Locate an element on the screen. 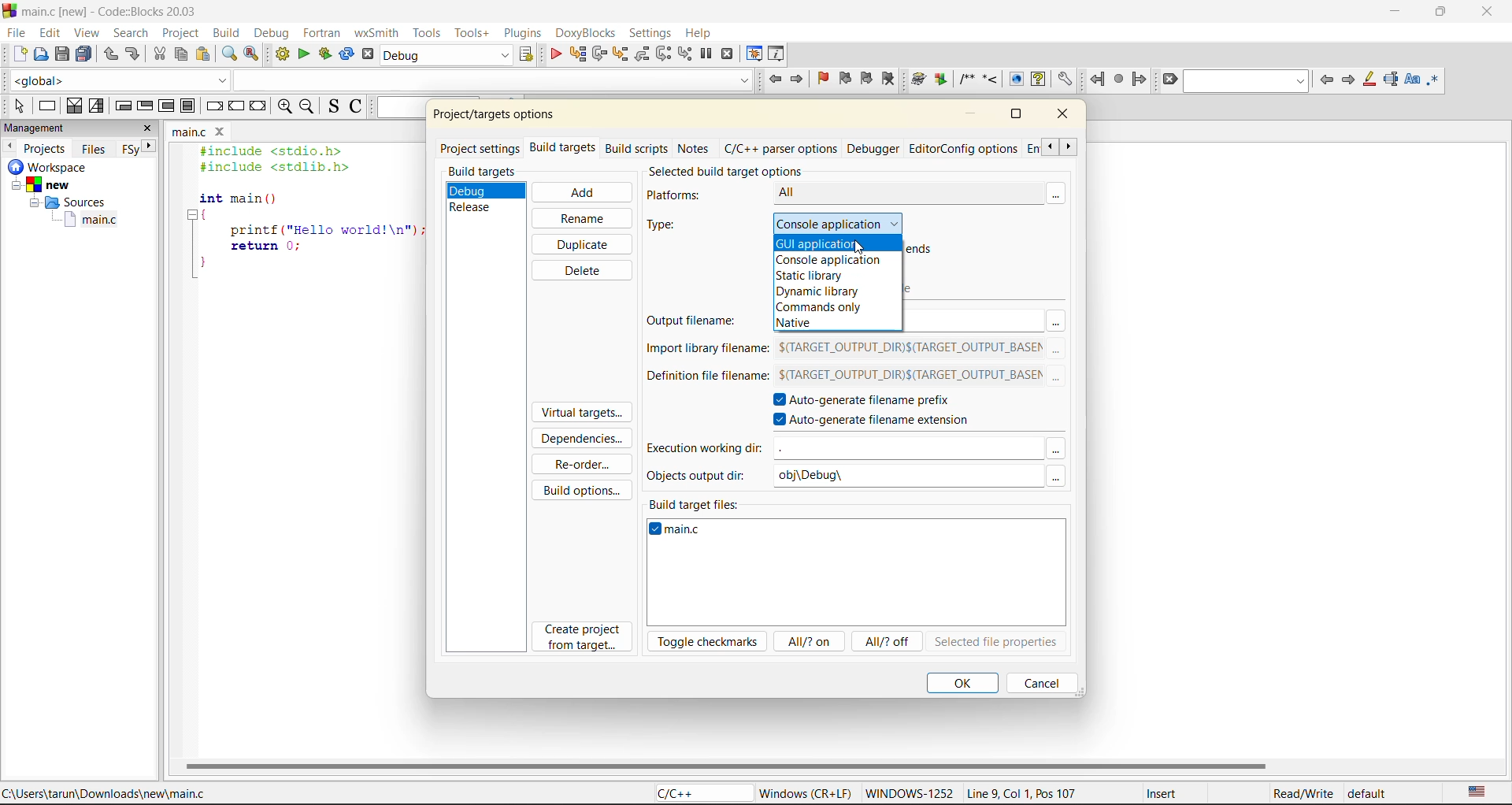  text language is located at coordinates (1477, 789).